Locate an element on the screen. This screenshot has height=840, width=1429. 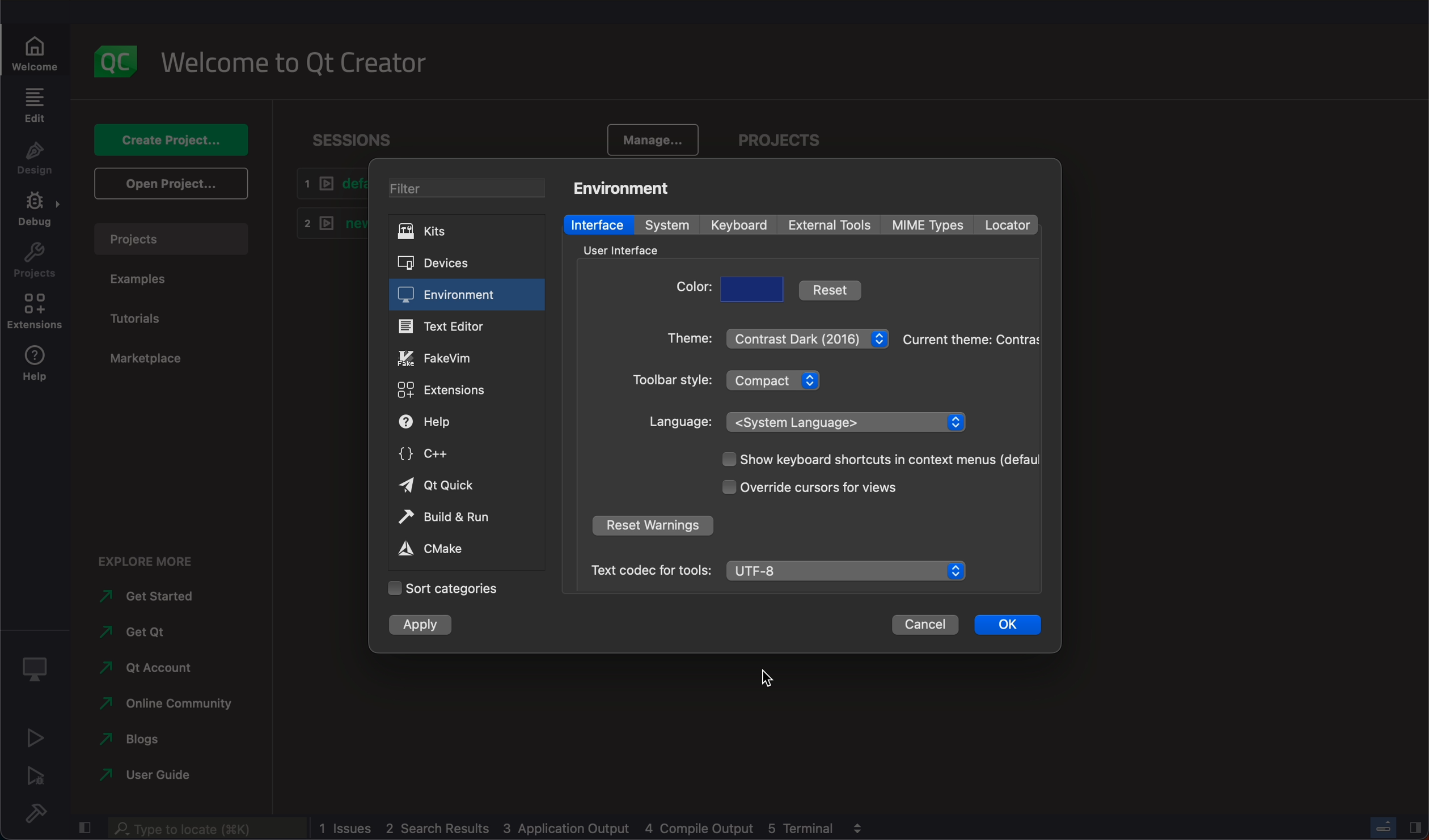
debug is located at coordinates (39, 665).